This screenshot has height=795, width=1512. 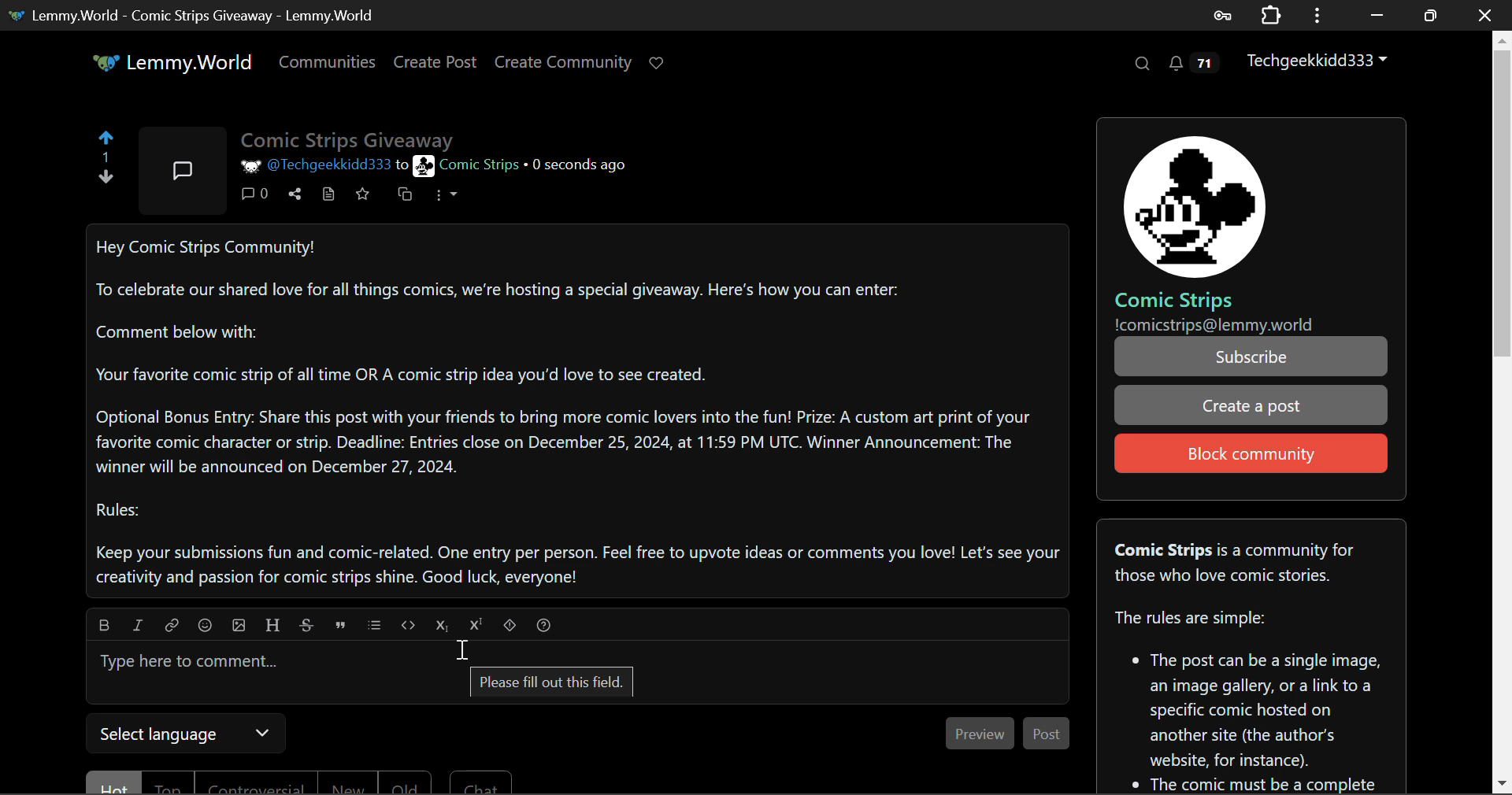 I want to click on Cross-post, so click(x=406, y=198).